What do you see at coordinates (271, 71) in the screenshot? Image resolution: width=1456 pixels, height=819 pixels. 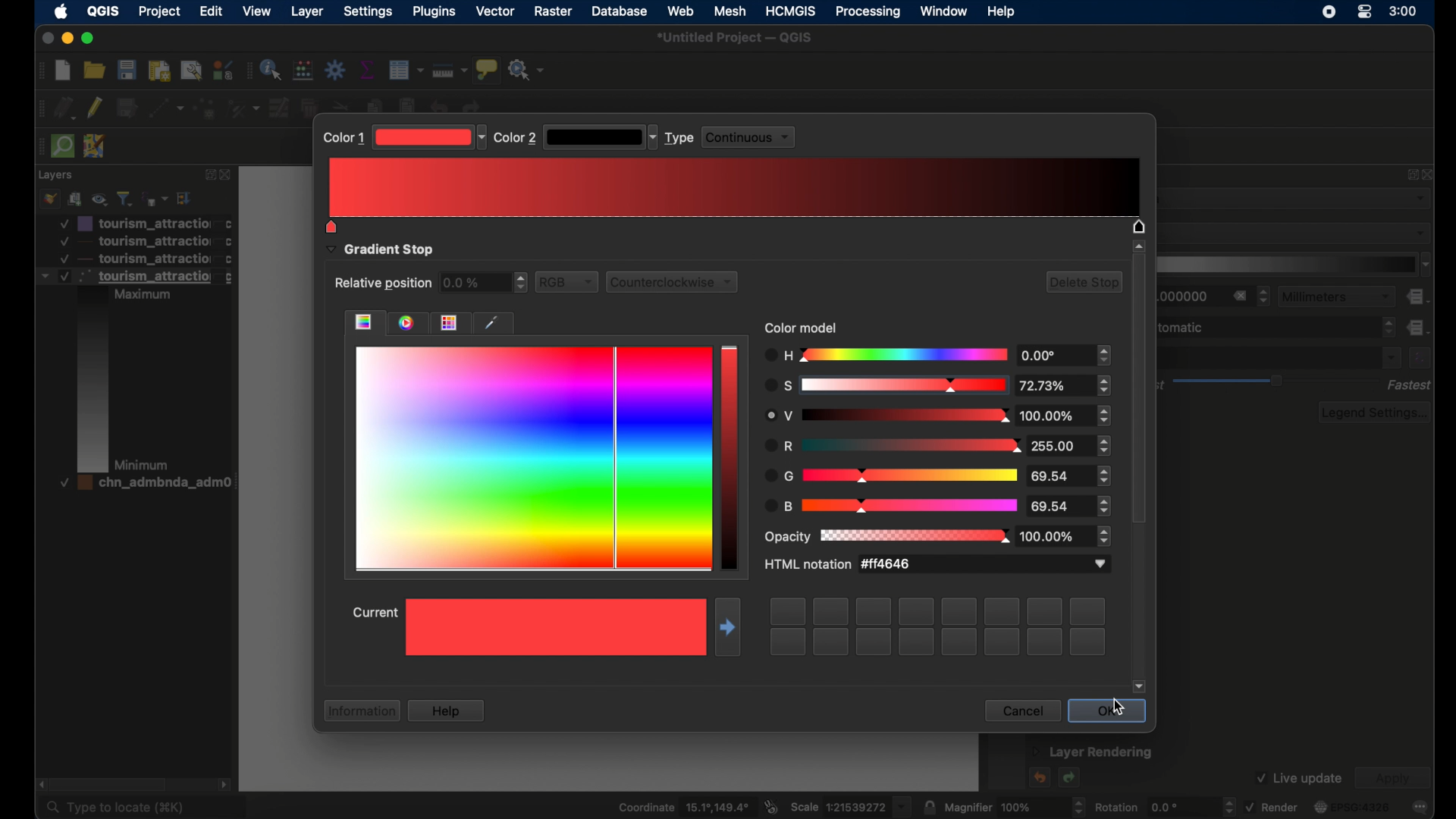 I see `identify features` at bounding box center [271, 71].